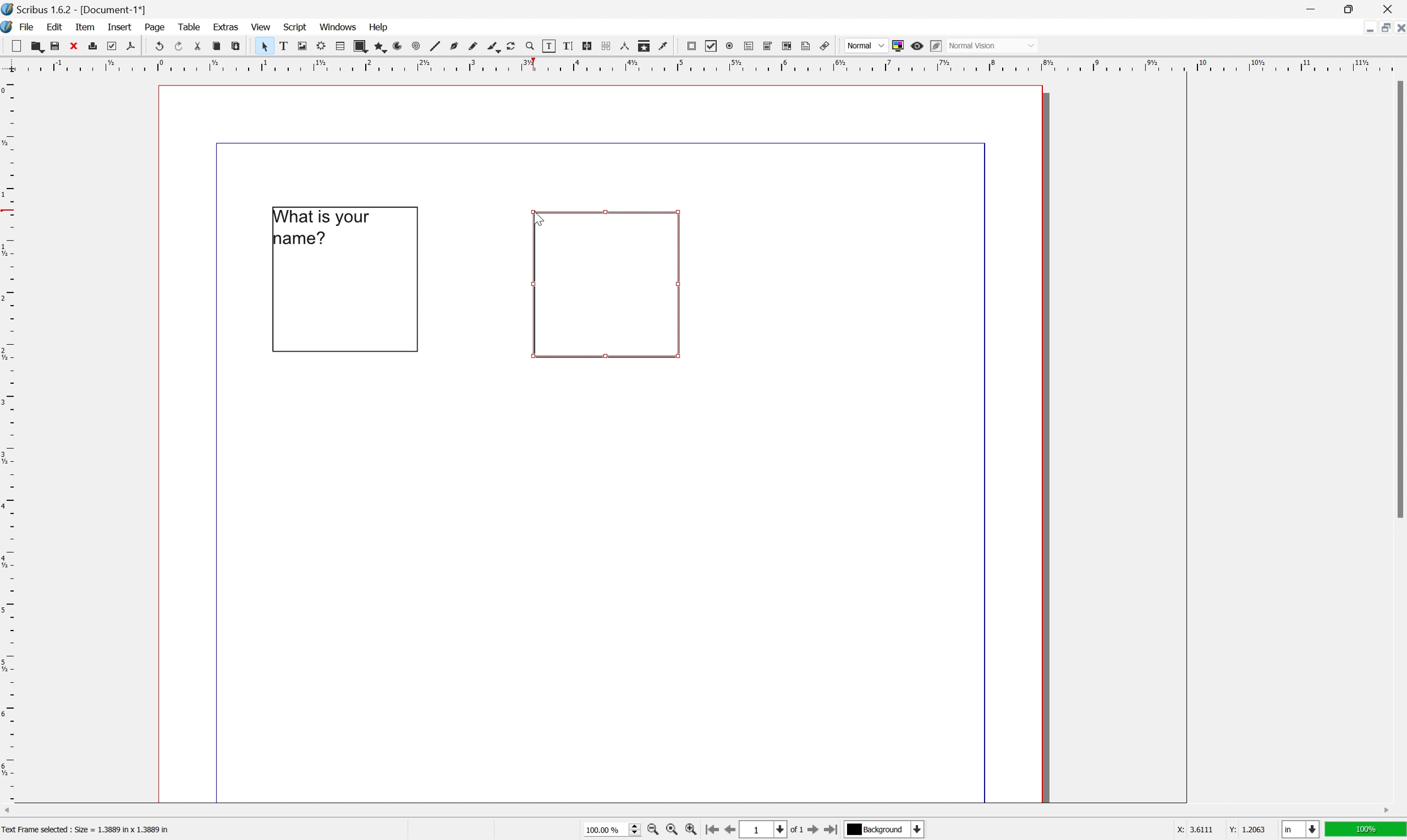 This screenshot has height=840, width=1407. I want to click on go to last page, so click(835, 832).